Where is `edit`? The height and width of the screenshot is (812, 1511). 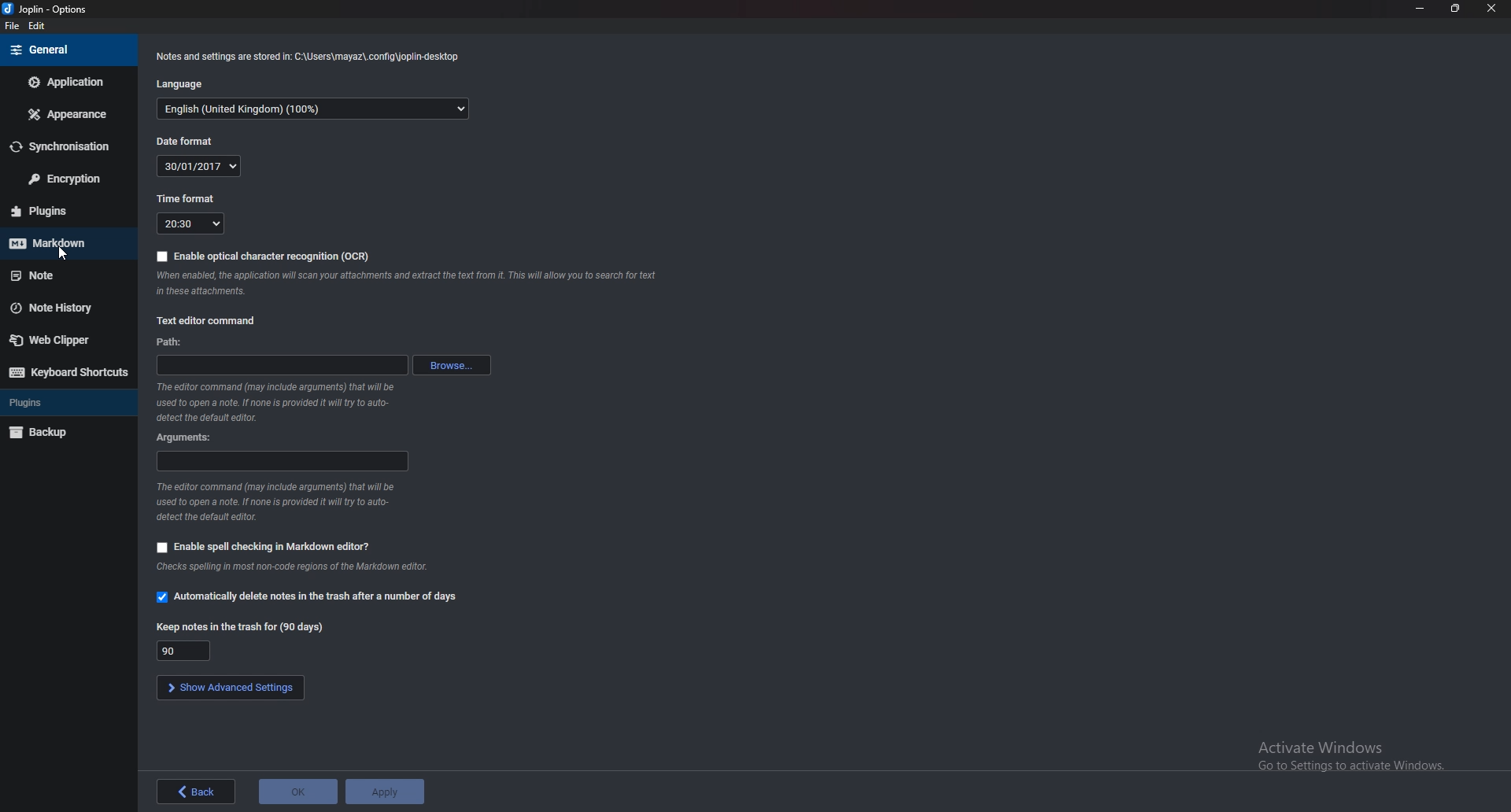
edit is located at coordinates (38, 26).